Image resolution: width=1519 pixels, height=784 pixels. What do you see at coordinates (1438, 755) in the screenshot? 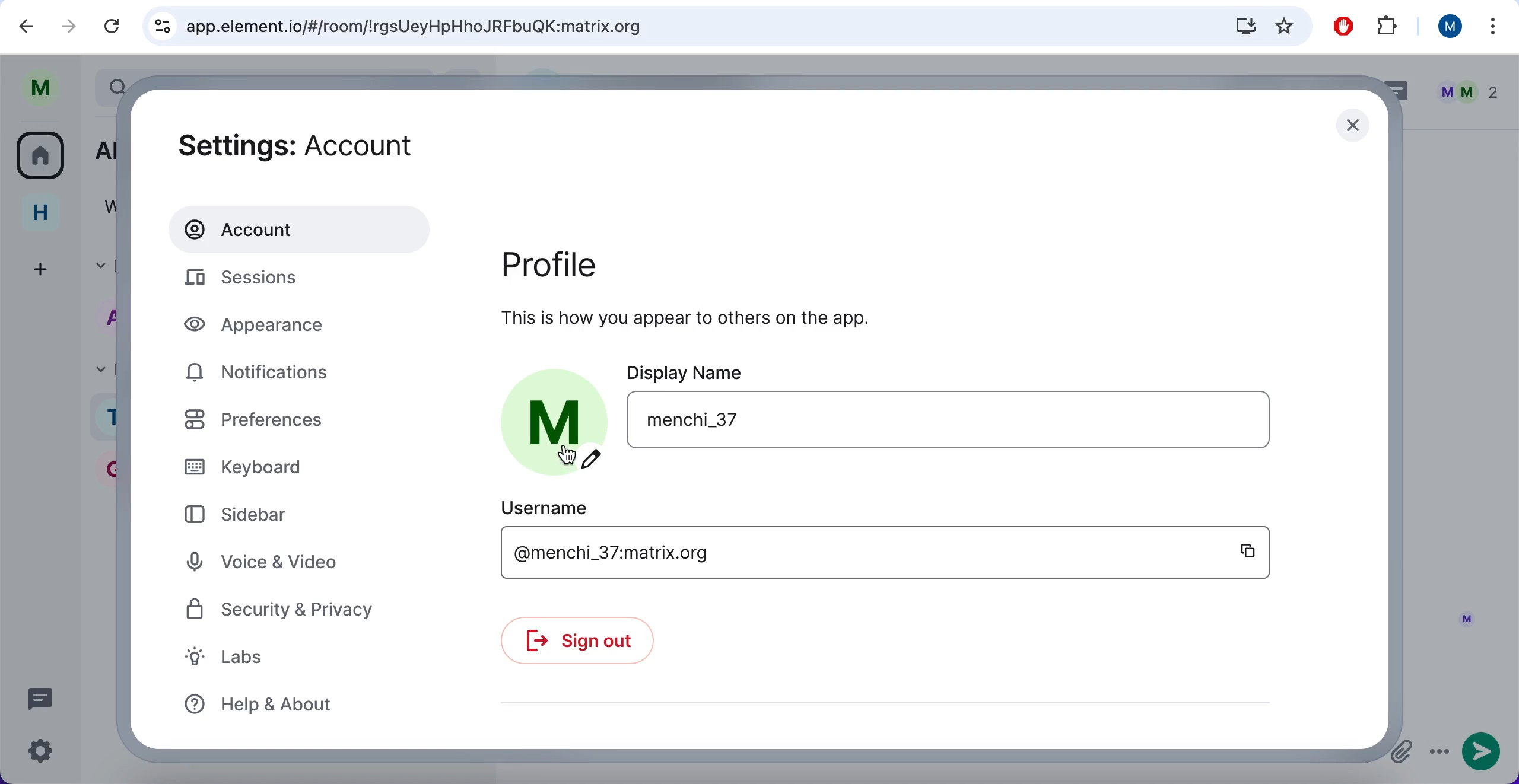
I see `options` at bounding box center [1438, 755].